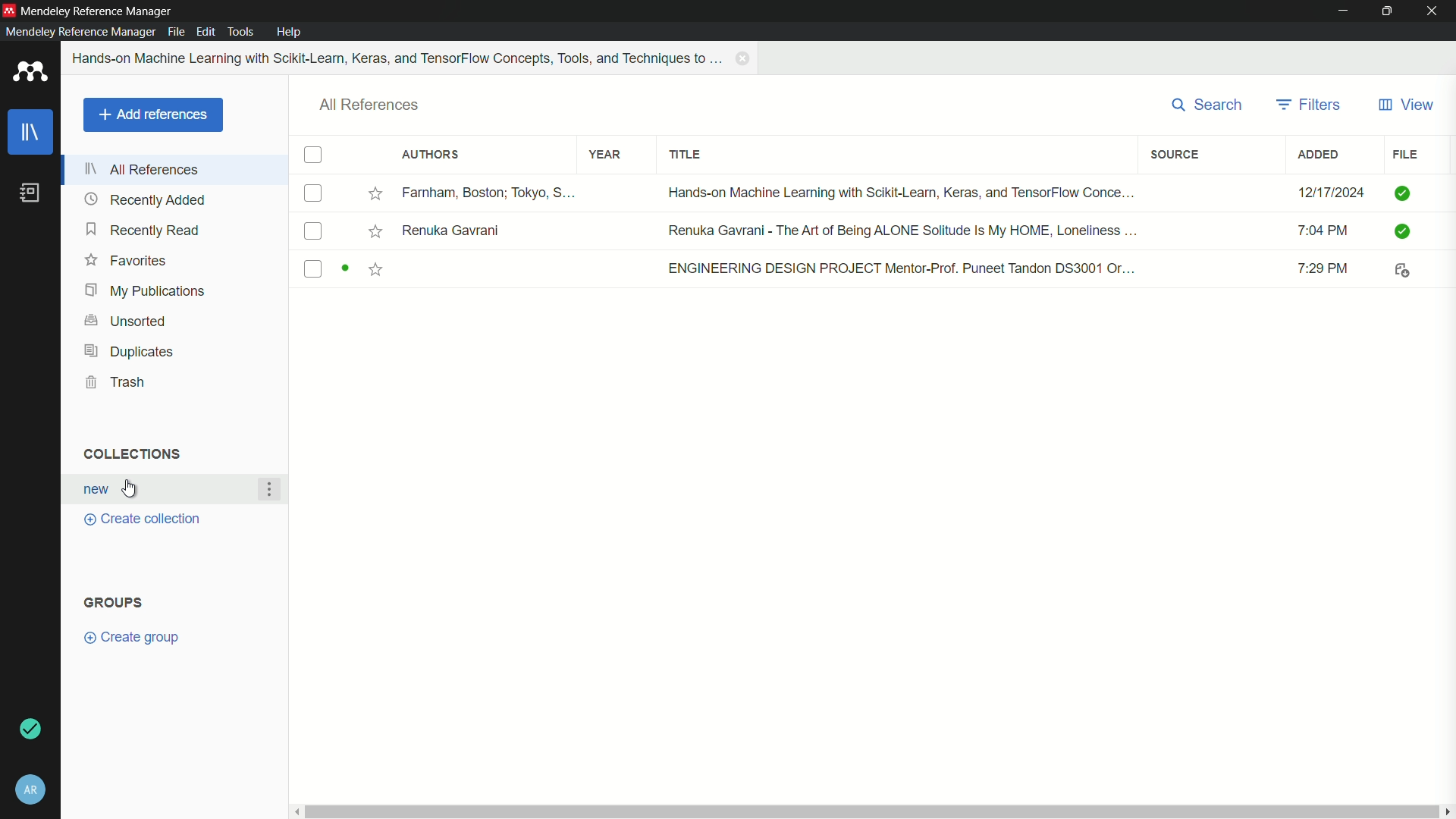 The image size is (1456, 819). Describe the element at coordinates (1391, 11) in the screenshot. I see `maximize` at that location.